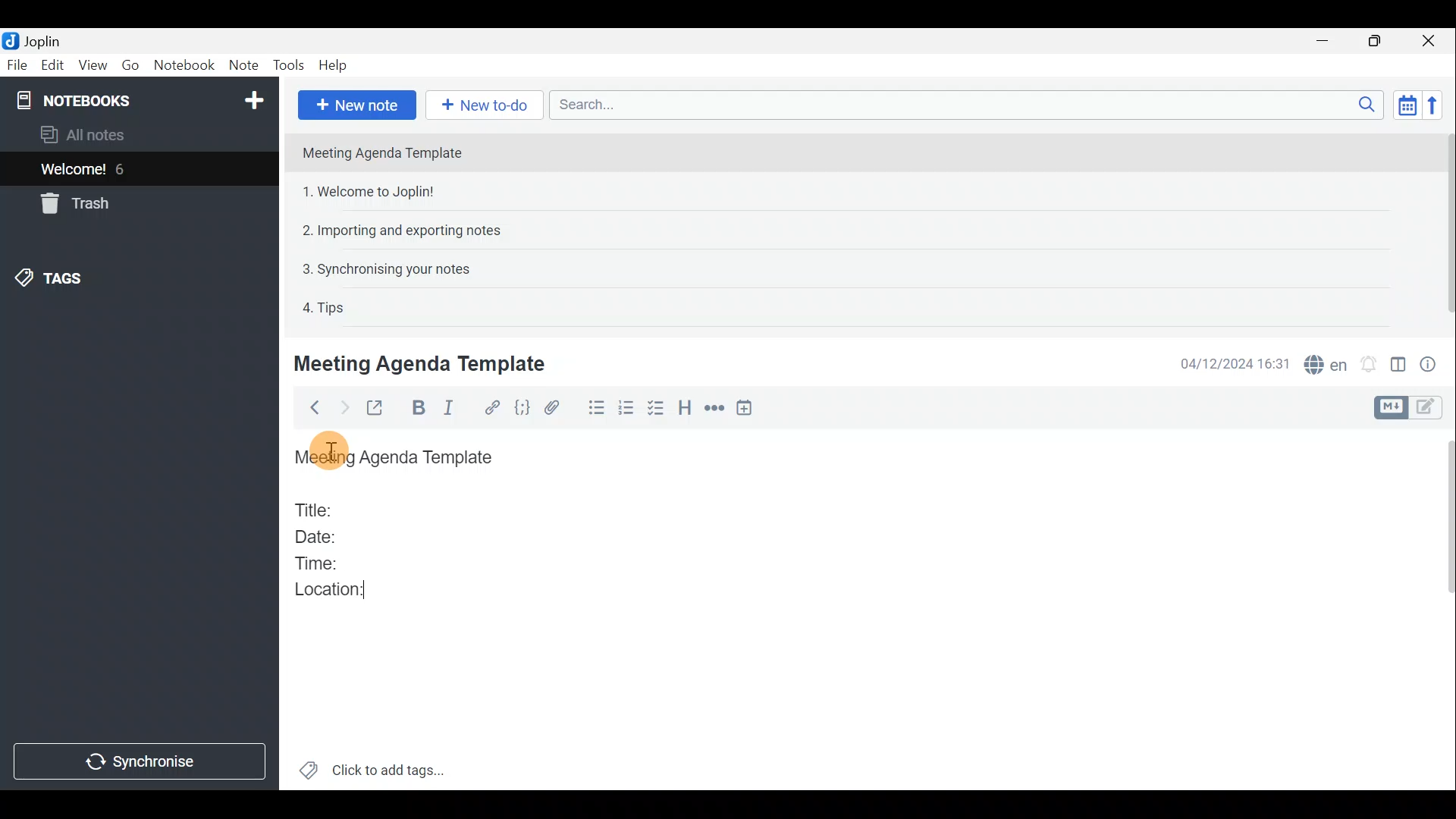 Image resolution: width=1456 pixels, height=819 pixels. Describe the element at coordinates (626, 410) in the screenshot. I see `Numbered list` at that location.